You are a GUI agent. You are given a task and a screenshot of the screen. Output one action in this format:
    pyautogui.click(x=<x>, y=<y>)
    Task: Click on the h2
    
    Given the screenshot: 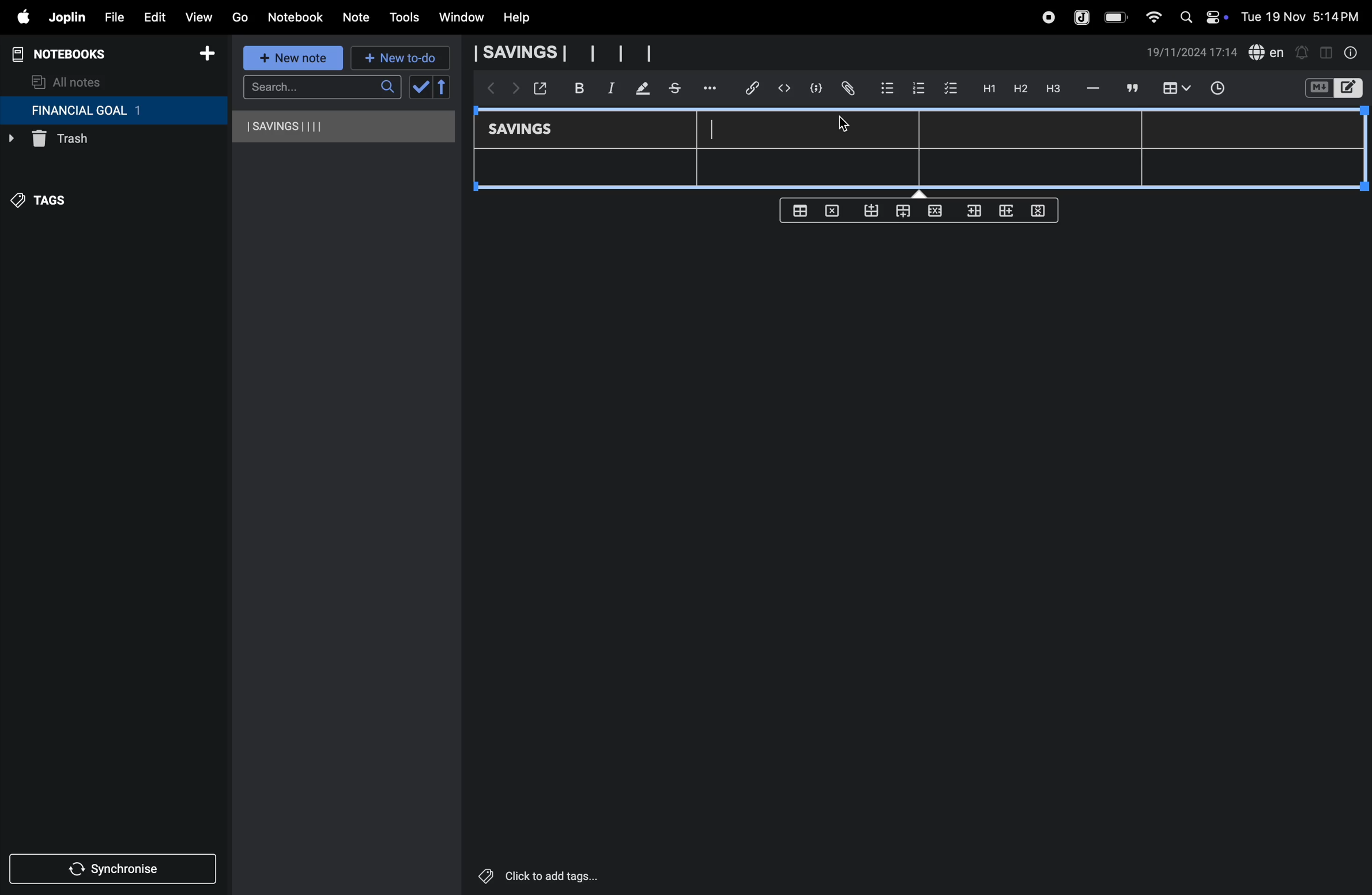 What is the action you would take?
    pyautogui.click(x=1019, y=88)
    